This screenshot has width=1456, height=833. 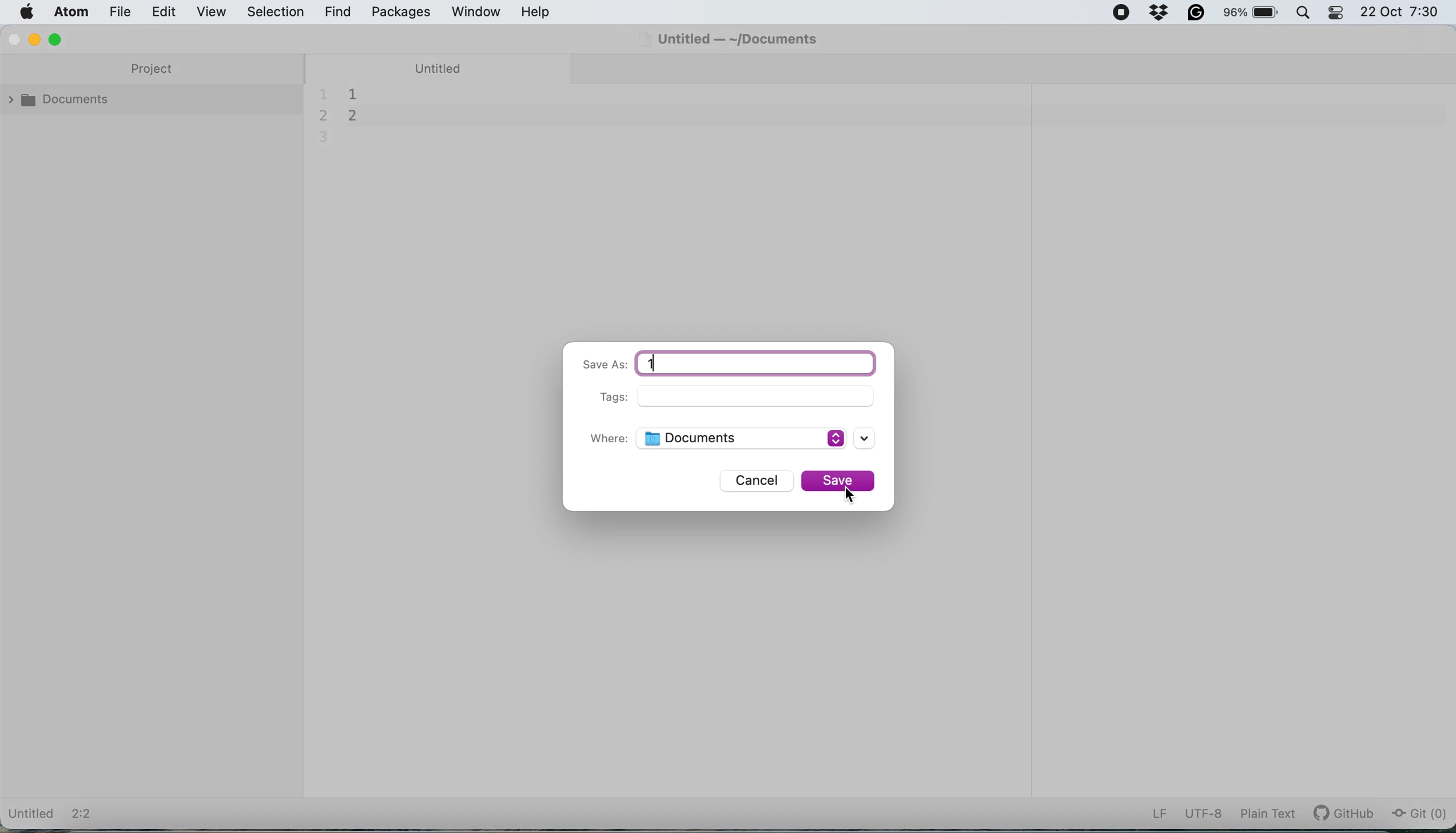 I want to click on window, so click(x=477, y=12).